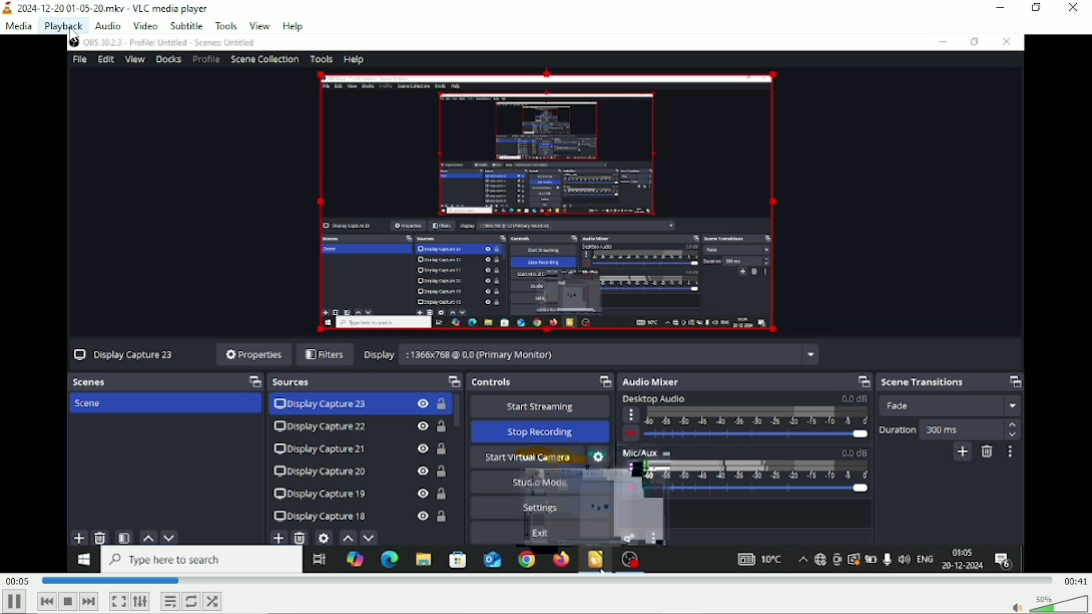 Image resolution: width=1092 pixels, height=614 pixels. Describe the element at coordinates (293, 26) in the screenshot. I see `Help` at that location.